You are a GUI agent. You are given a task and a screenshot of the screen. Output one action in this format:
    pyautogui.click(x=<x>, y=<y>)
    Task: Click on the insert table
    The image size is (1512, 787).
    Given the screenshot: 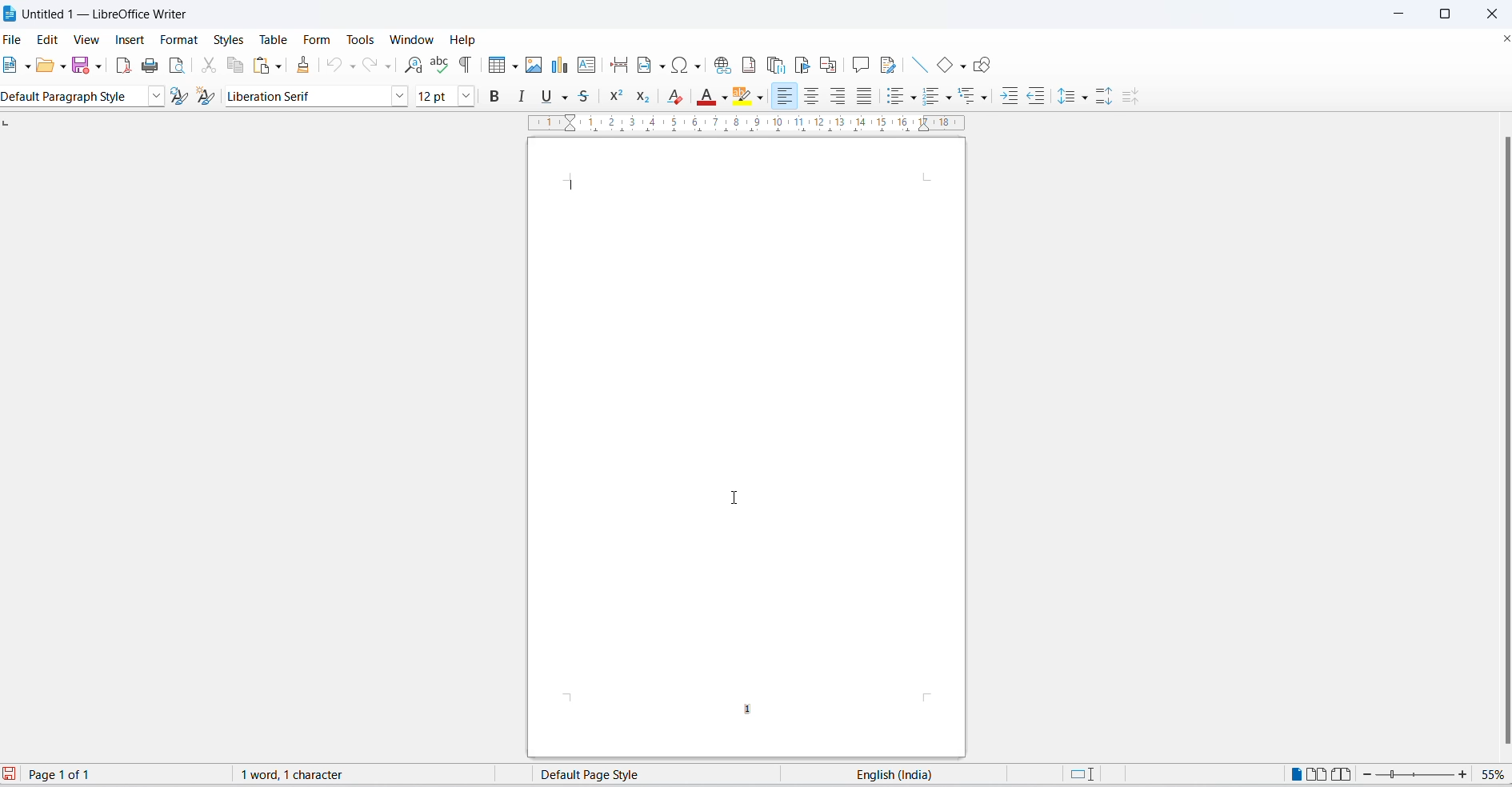 What is the action you would take?
    pyautogui.click(x=492, y=67)
    